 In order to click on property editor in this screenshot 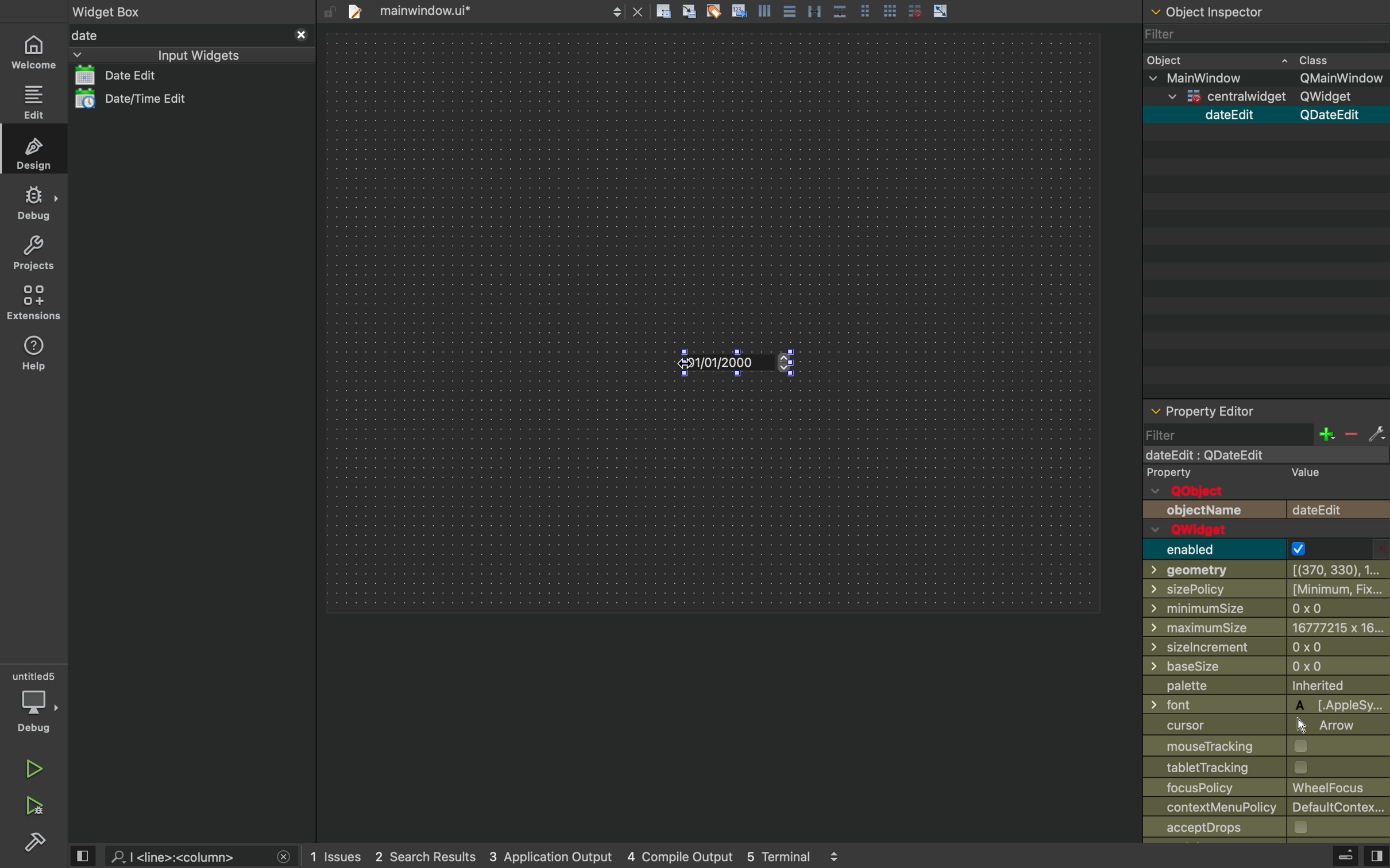, I will do `click(1265, 410)`.